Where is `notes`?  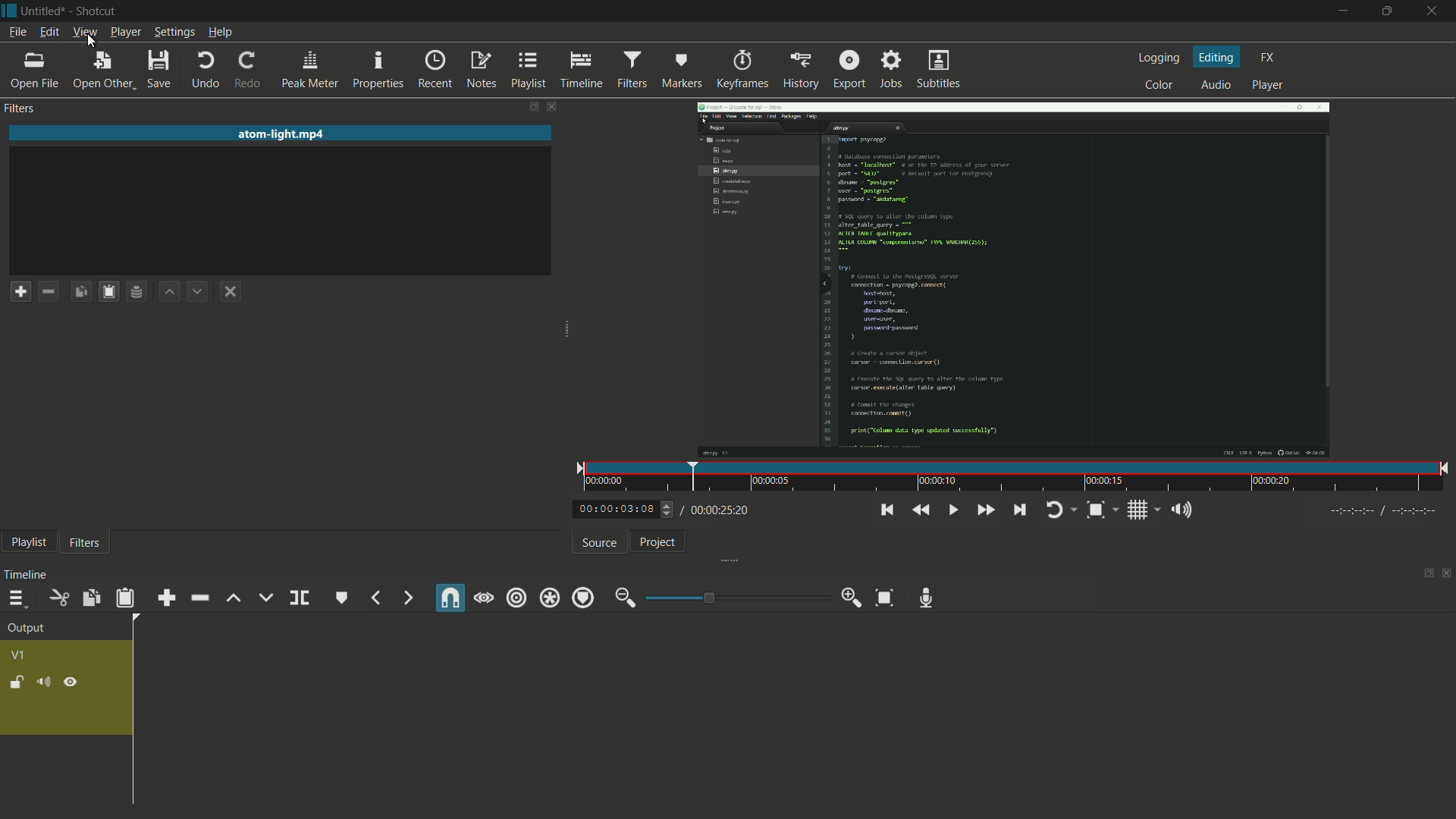
notes is located at coordinates (479, 69).